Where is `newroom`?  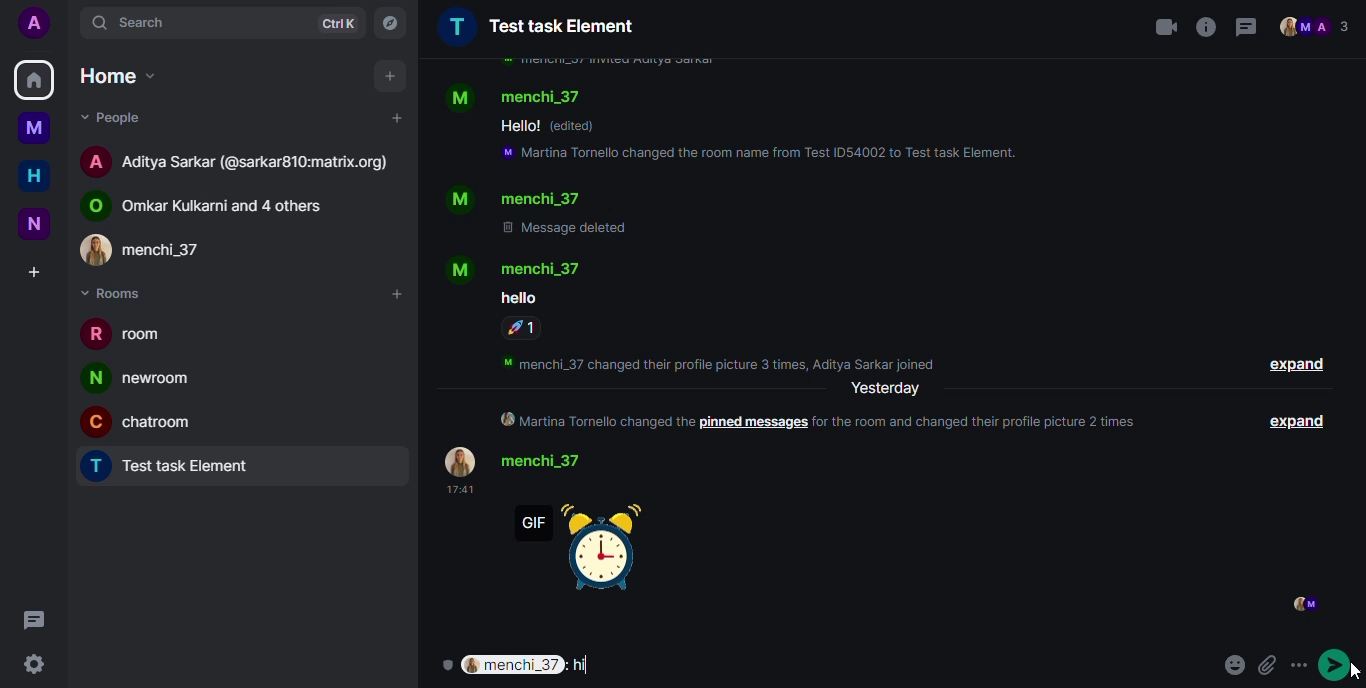 newroom is located at coordinates (143, 378).